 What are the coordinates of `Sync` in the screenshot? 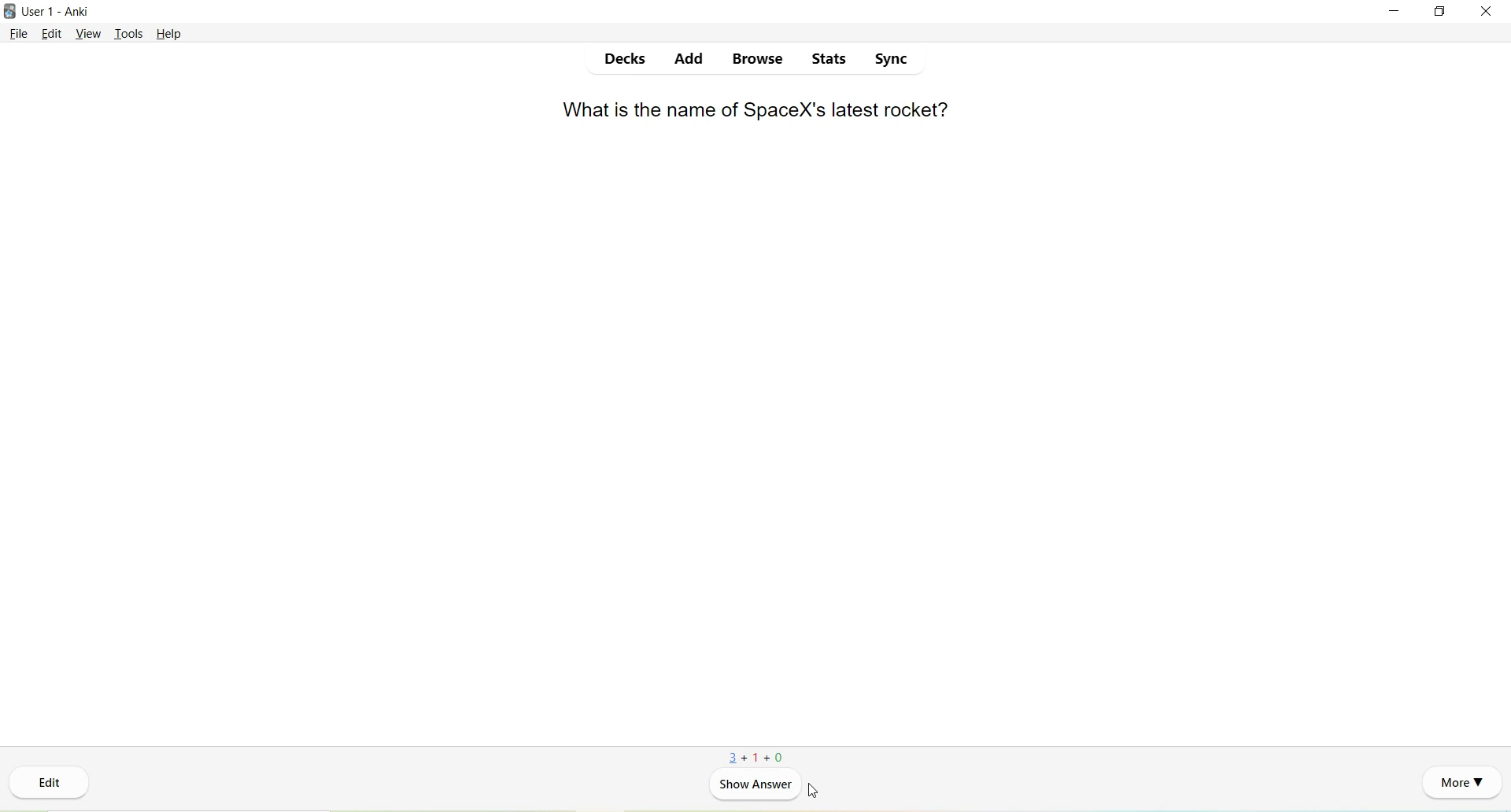 It's located at (891, 61).